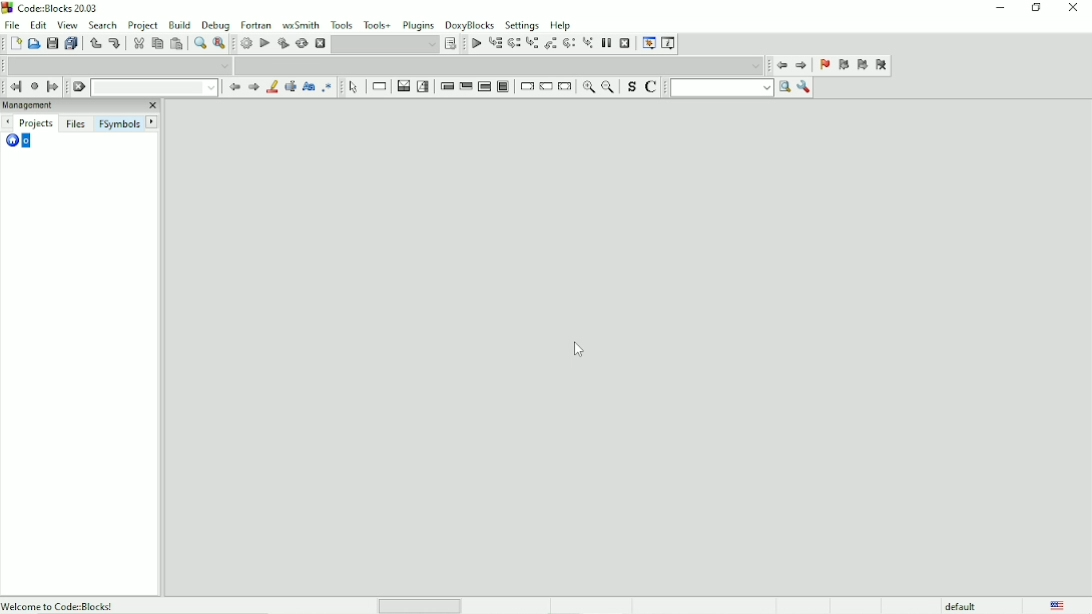 The height and width of the screenshot is (614, 1092). I want to click on Search, so click(104, 25).